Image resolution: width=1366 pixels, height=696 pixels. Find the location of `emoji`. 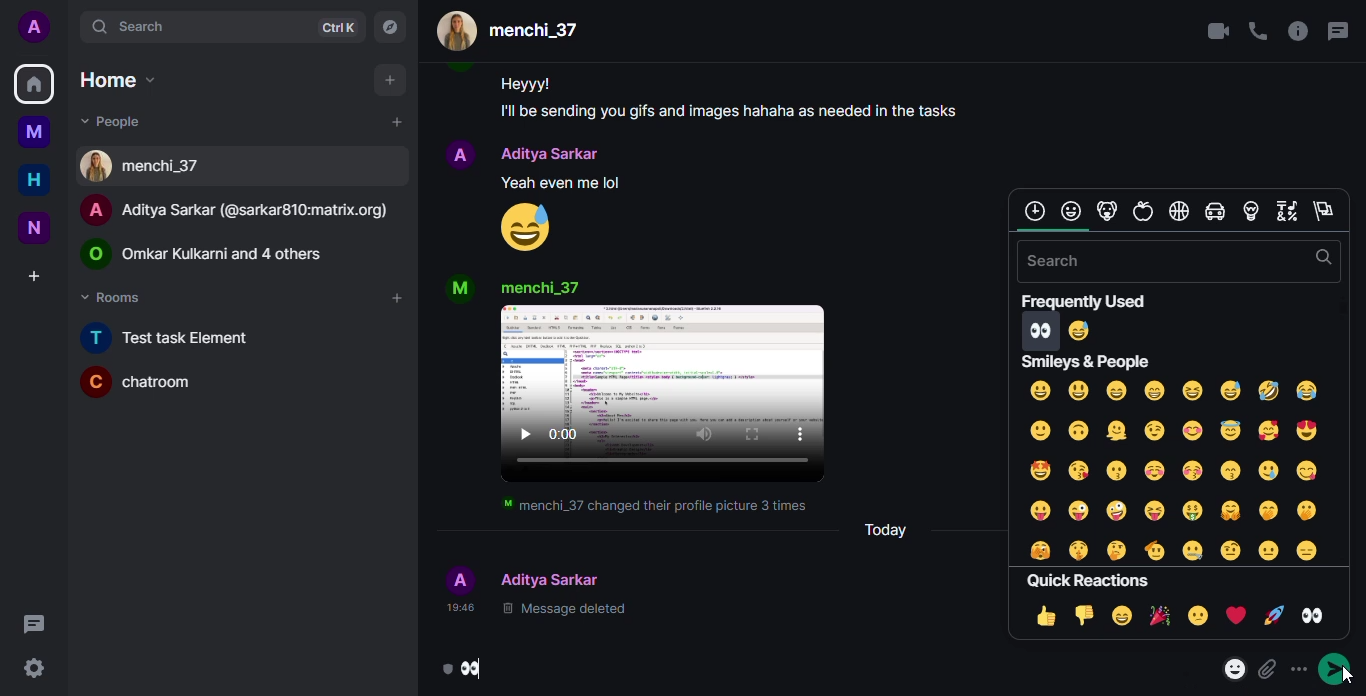

emoji is located at coordinates (1233, 669).